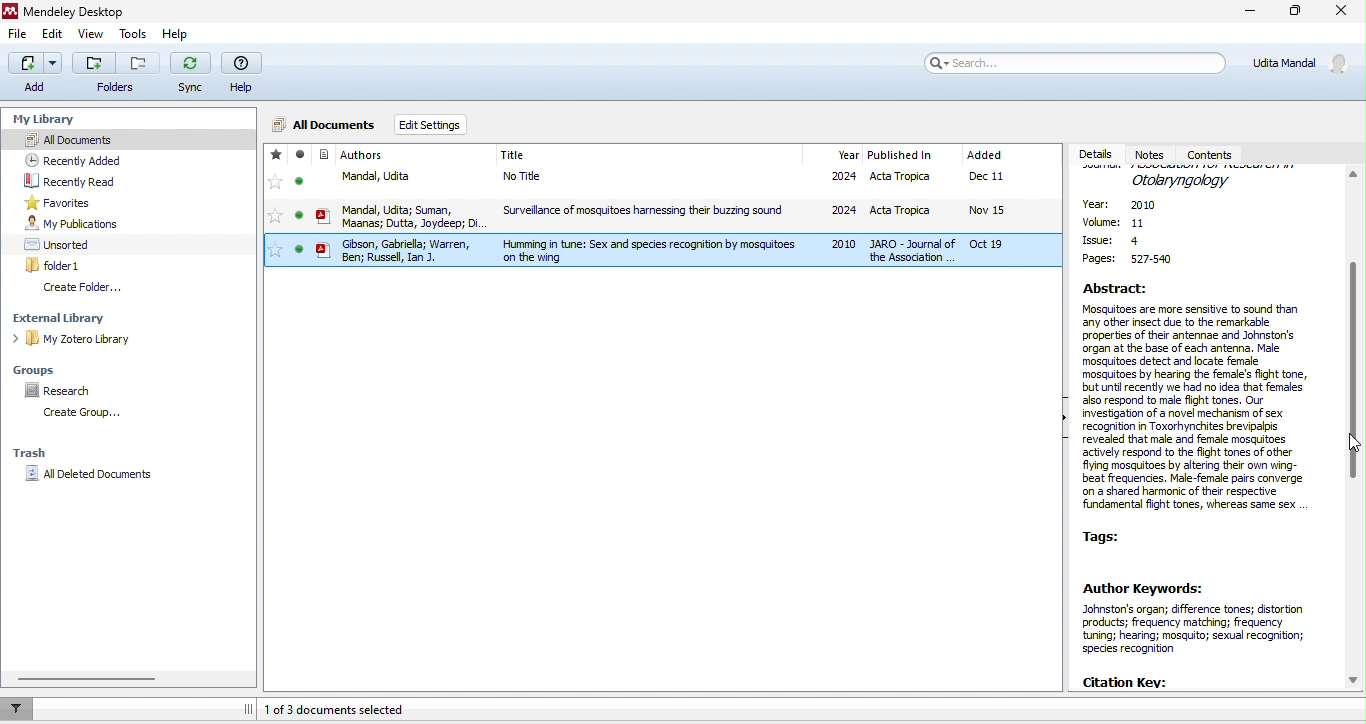 This screenshot has width=1366, height=724. Describe the element at coordinates (275, 186) in the screenshot. I see `favourites` at that location.